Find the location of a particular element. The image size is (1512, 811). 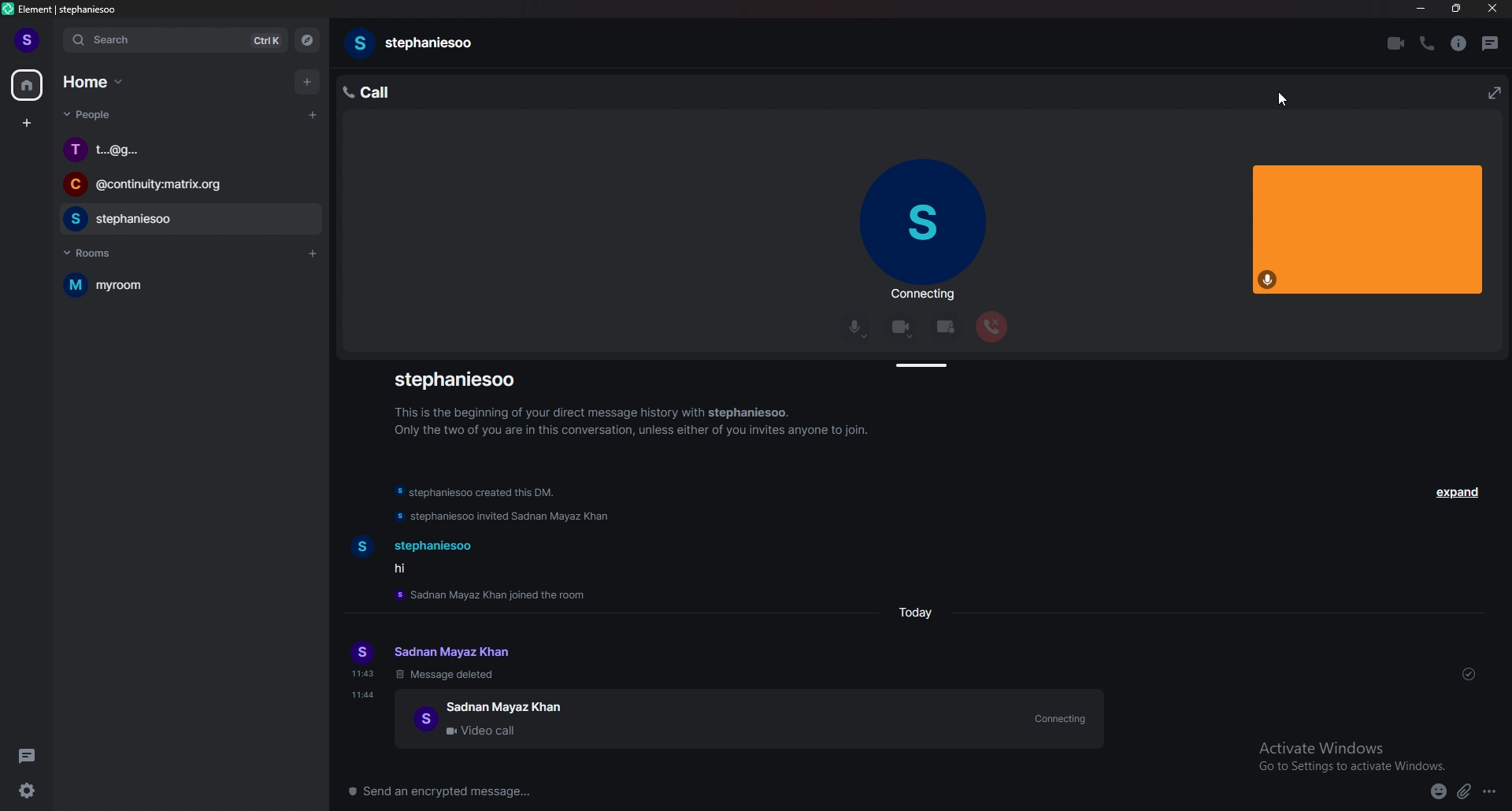

theads is located at coordinates (28, 756).